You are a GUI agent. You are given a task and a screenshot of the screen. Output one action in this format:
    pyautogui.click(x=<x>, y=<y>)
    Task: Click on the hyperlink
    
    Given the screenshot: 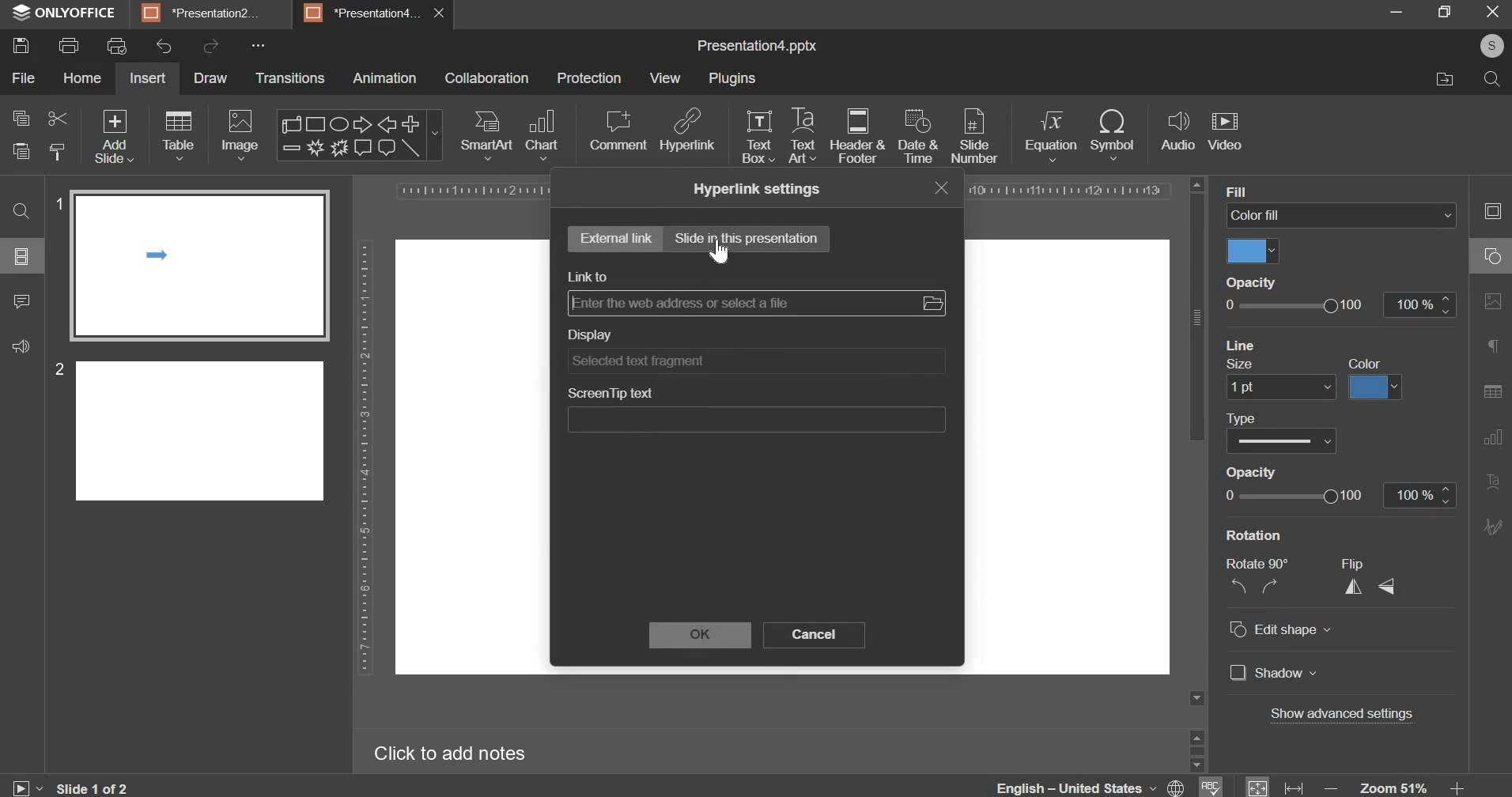 What is the action you would take?
    pyautogui.click(x=687, y=132)
    